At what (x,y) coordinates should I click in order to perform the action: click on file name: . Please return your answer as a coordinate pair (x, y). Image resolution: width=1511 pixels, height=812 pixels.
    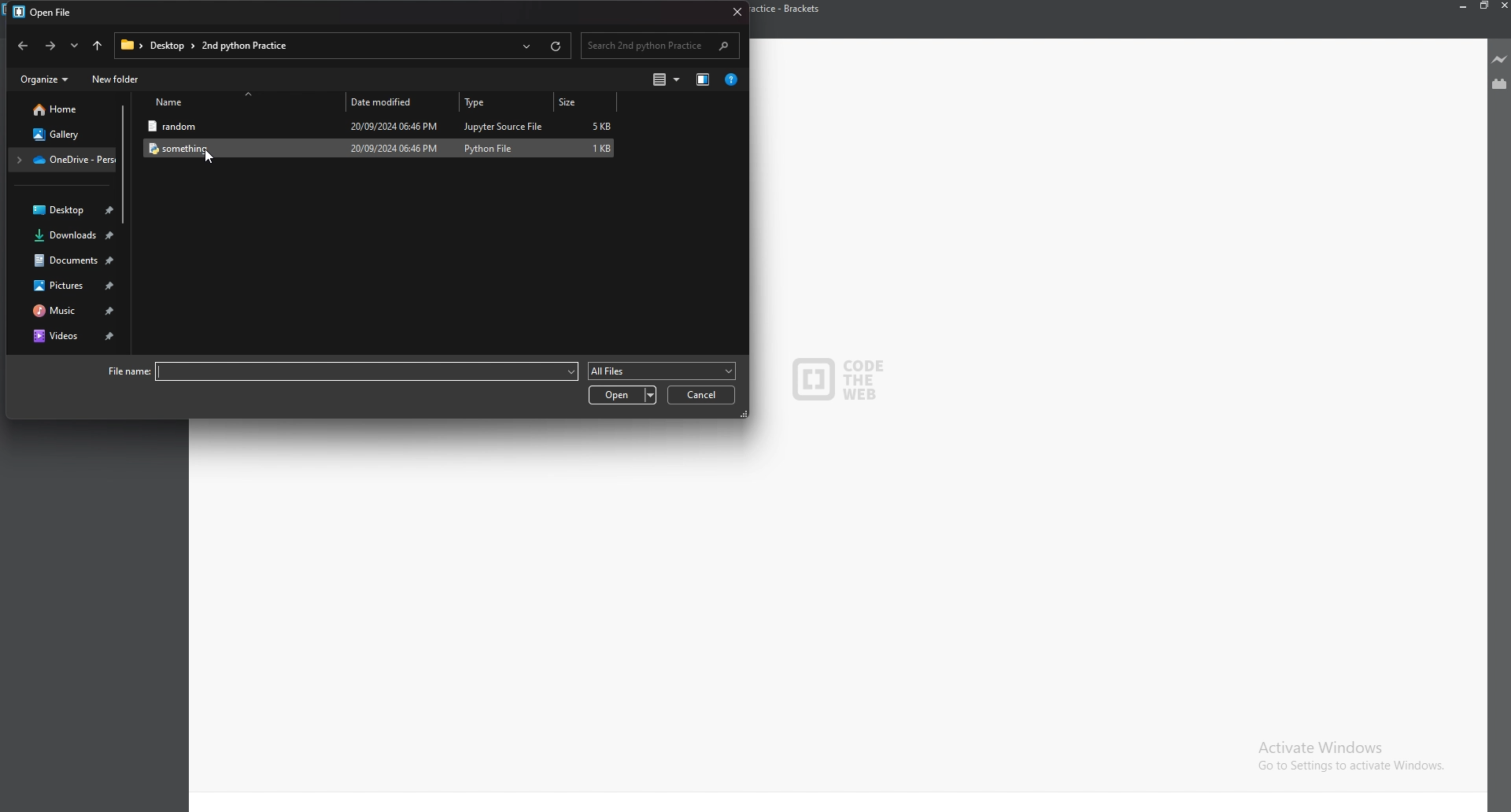
    Looking at the image, I should click on (339, 372).